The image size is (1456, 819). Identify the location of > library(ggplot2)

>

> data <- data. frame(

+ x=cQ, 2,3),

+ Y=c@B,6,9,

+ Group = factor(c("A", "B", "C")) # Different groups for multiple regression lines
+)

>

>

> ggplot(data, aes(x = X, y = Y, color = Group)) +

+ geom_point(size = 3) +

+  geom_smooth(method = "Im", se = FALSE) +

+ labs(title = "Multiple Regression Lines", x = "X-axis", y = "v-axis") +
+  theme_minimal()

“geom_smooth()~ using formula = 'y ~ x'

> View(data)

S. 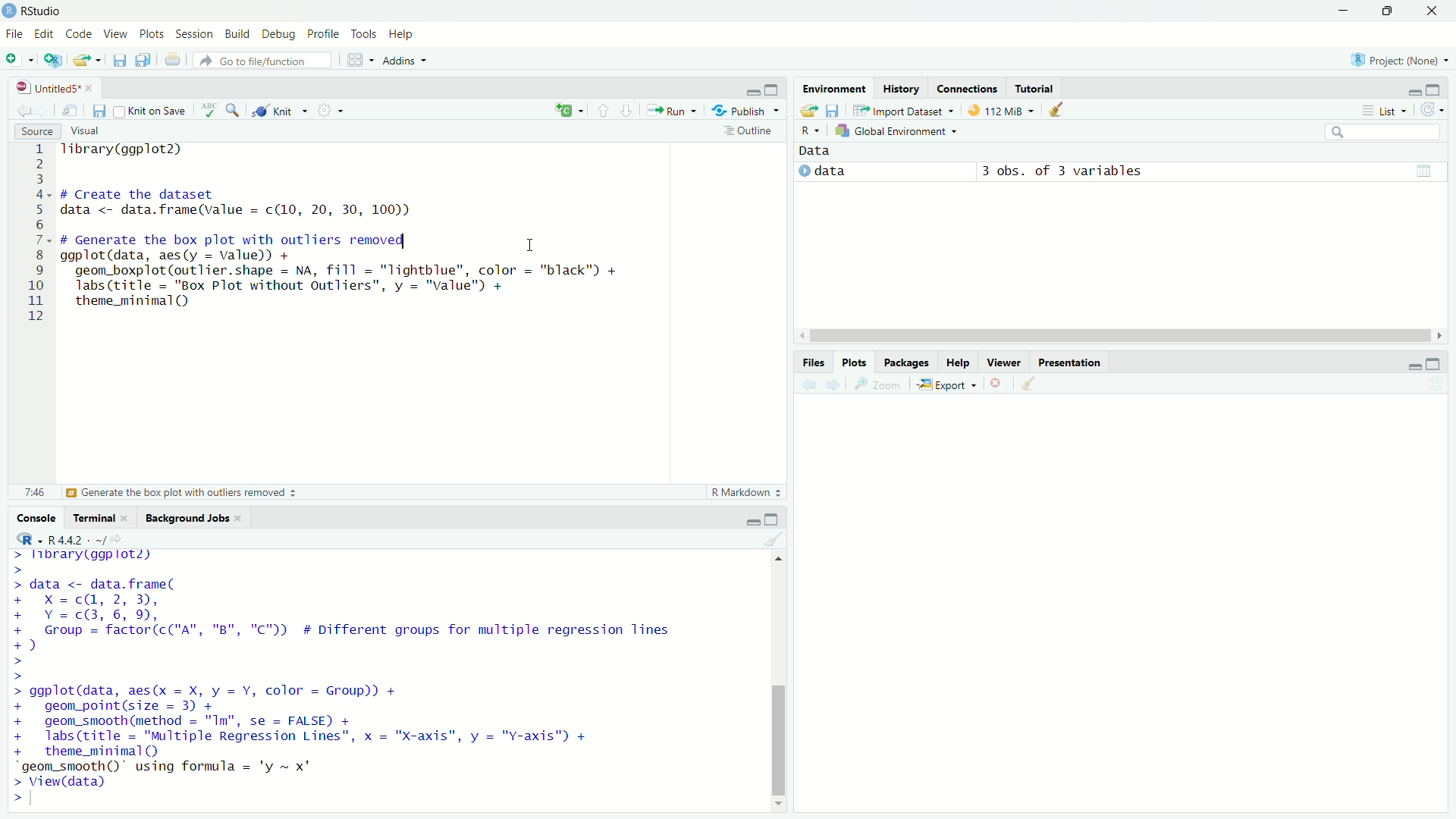
(357, 676).